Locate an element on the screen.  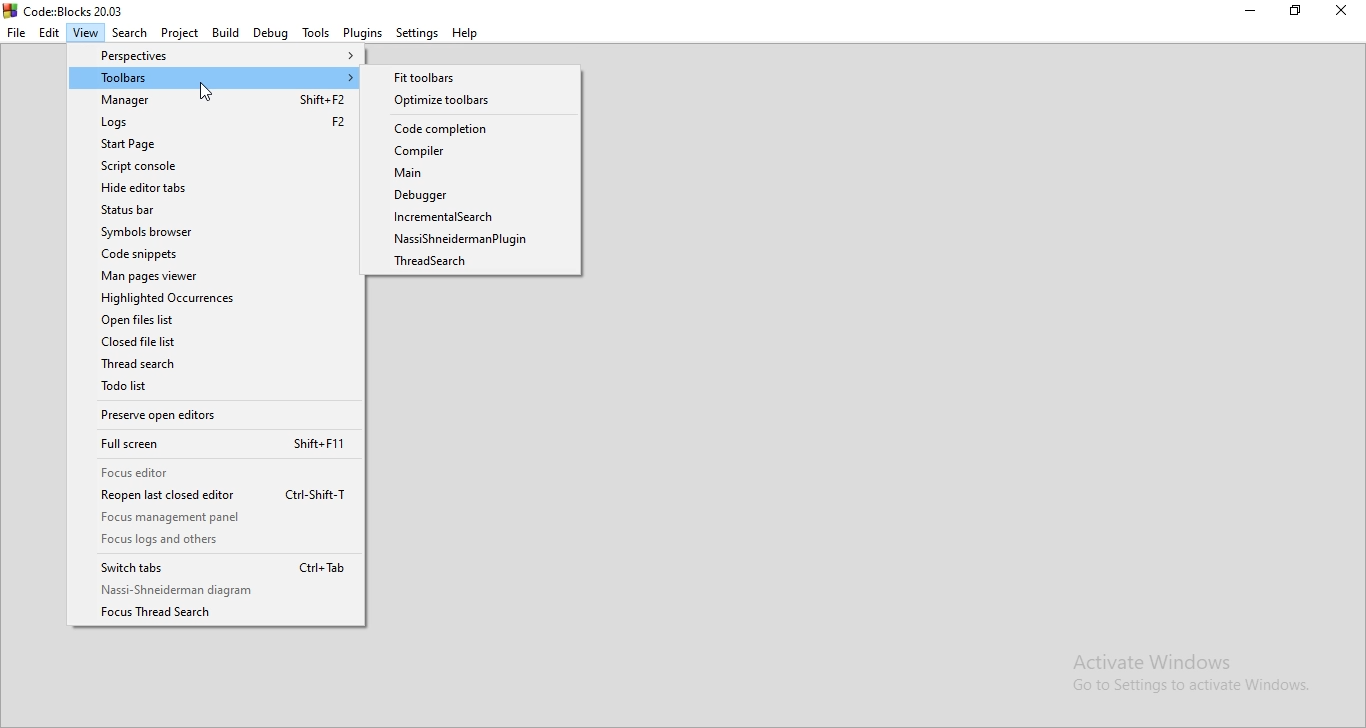
IncrementalSearch is located at coordinates (474, 216).